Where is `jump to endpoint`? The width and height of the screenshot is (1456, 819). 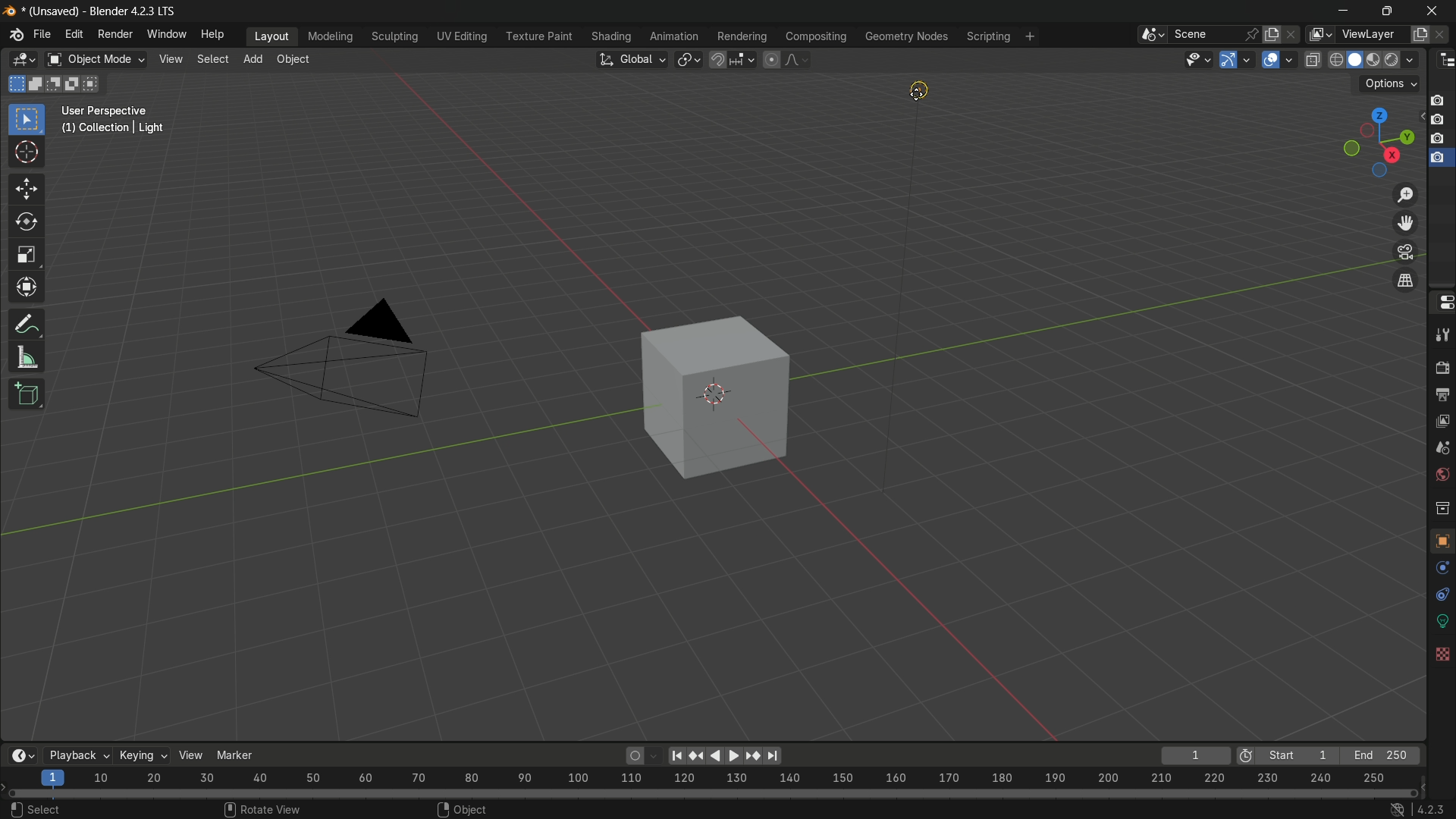 jump to endpoint is located at coordinates (676, 755).